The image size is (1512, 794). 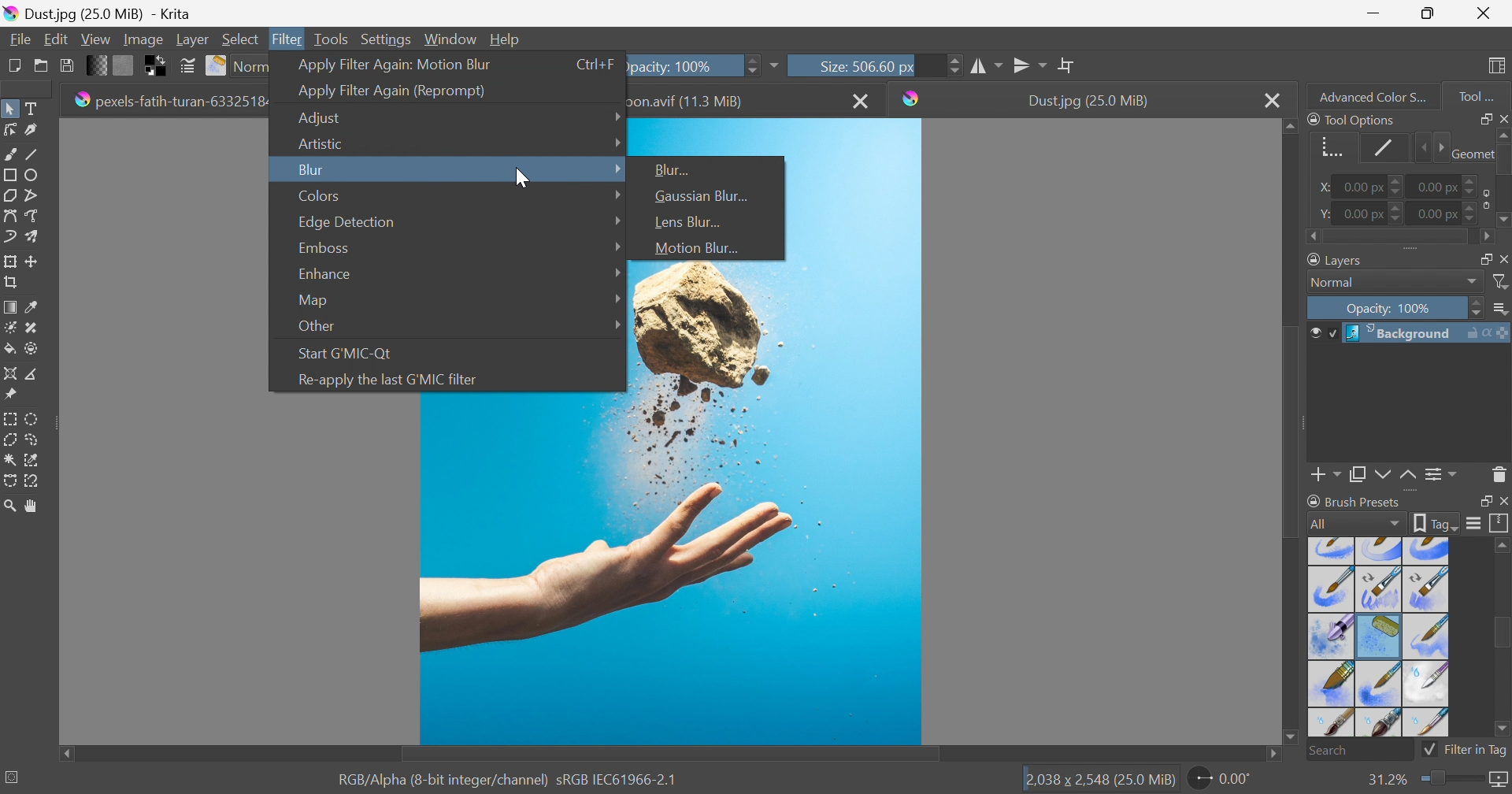 What do you see at coordinates (65, 64) in the screenshot?
I see `Save` at bounding box center [65, 64].